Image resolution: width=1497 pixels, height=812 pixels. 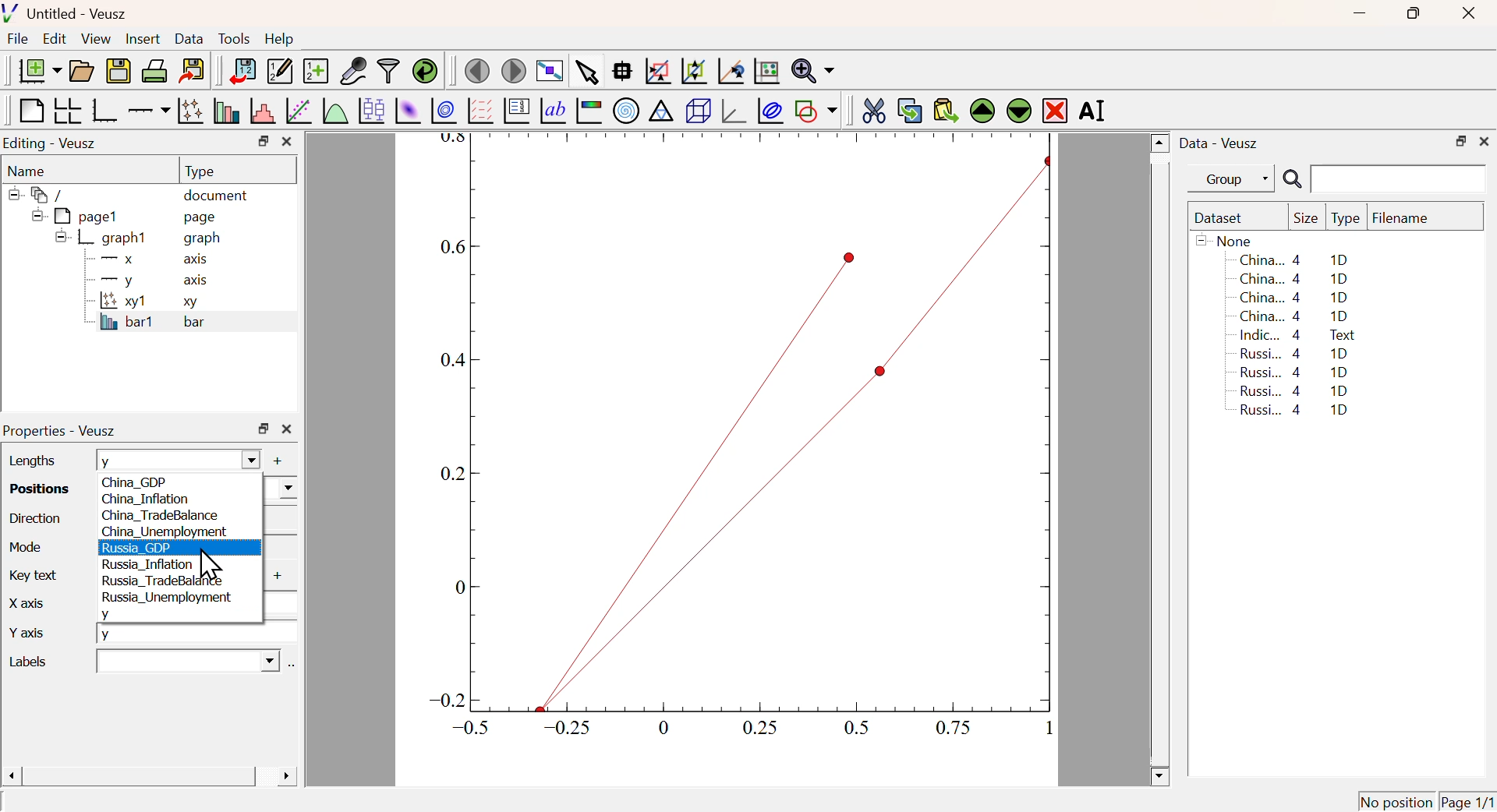 I want to click on Plot Key, so click(x=515, y=110).